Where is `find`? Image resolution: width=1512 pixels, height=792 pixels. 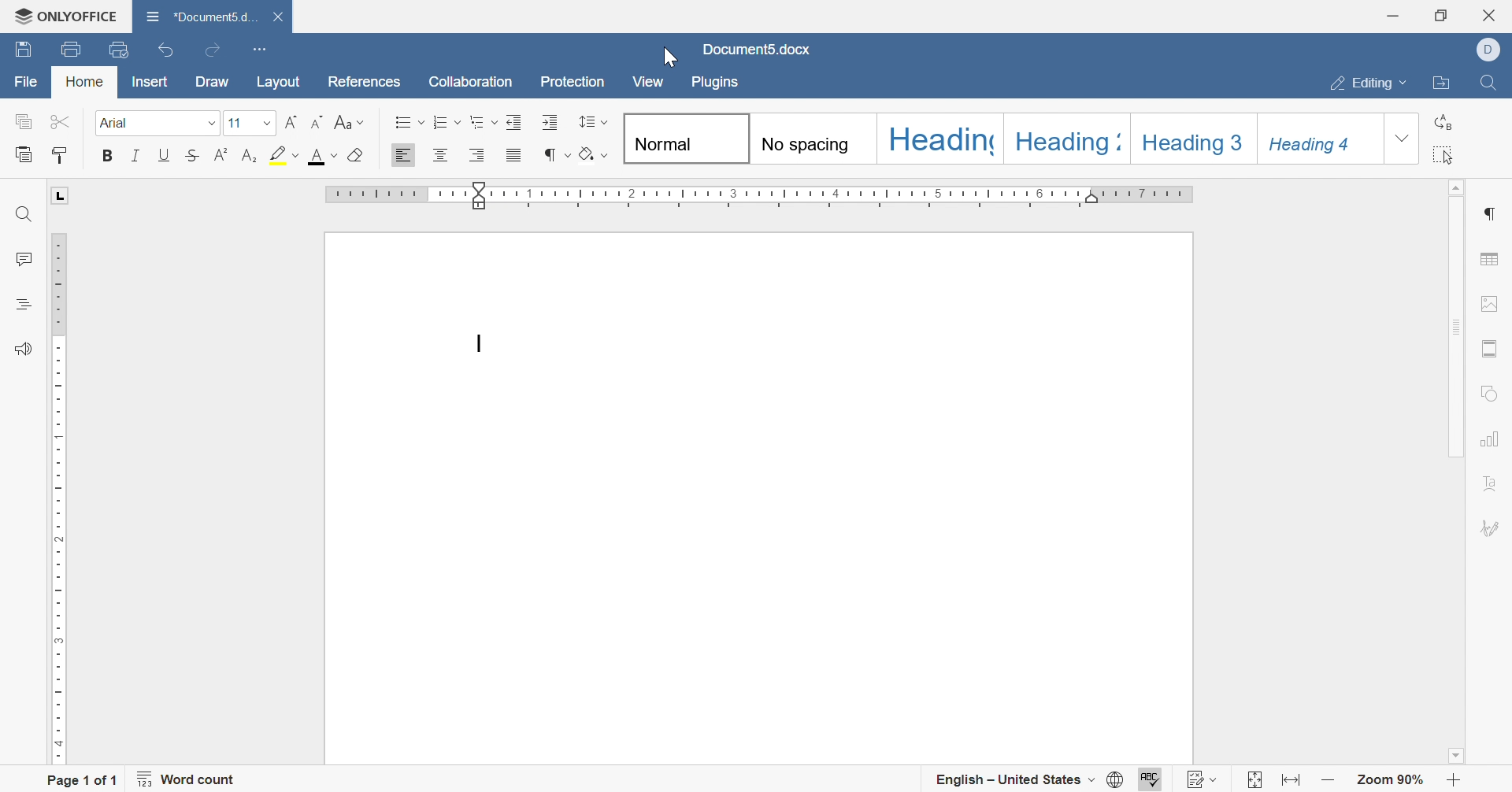 find is located at coordinates (24, 213).